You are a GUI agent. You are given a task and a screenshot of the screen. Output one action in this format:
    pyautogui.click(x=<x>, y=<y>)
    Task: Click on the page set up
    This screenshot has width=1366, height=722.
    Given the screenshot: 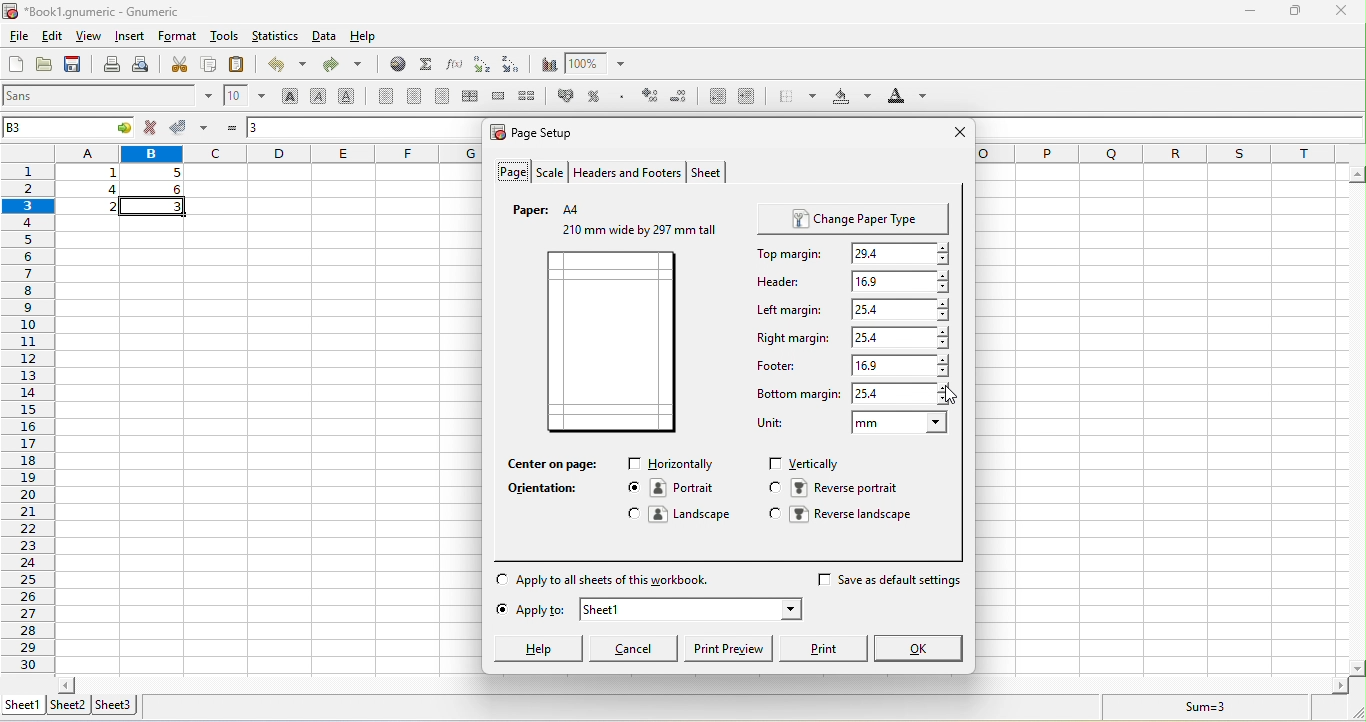 What is the action you would take?
    pyautogui.click(x=540, y=130)
    